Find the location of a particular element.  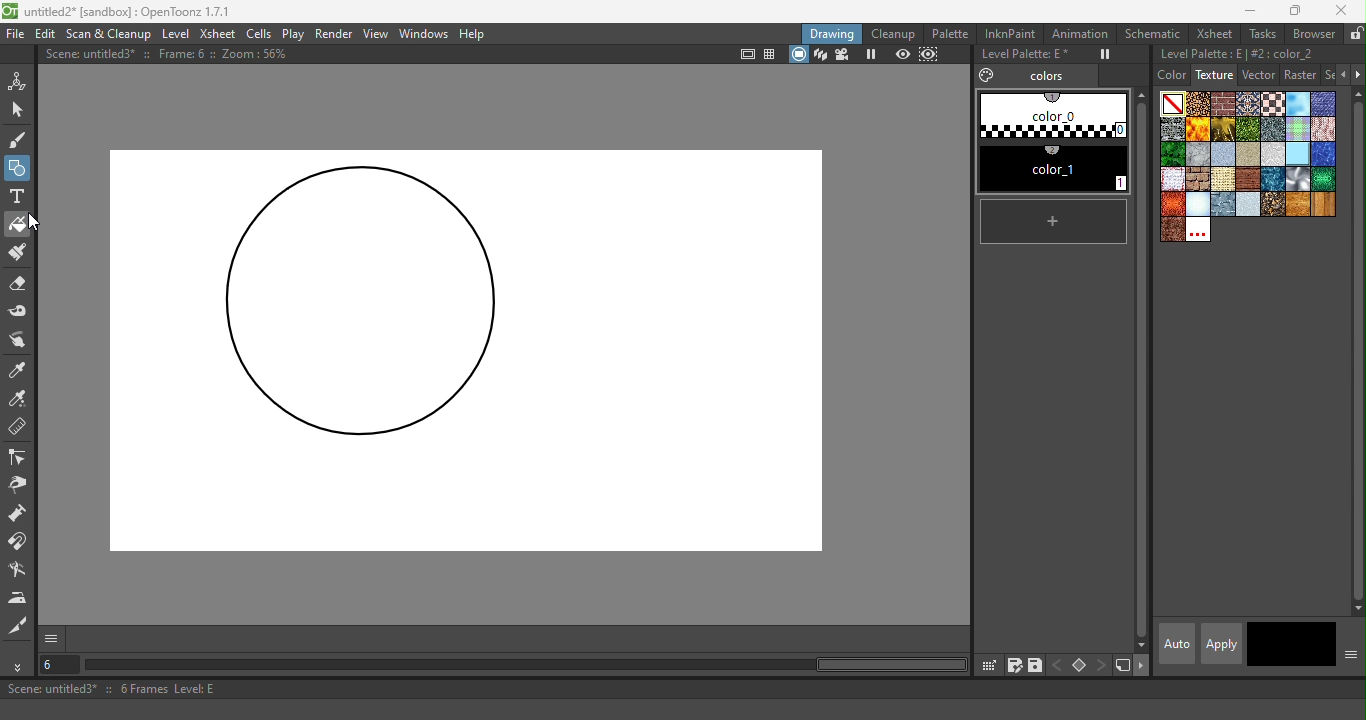

Raster is located at coordinates (1301, 75).